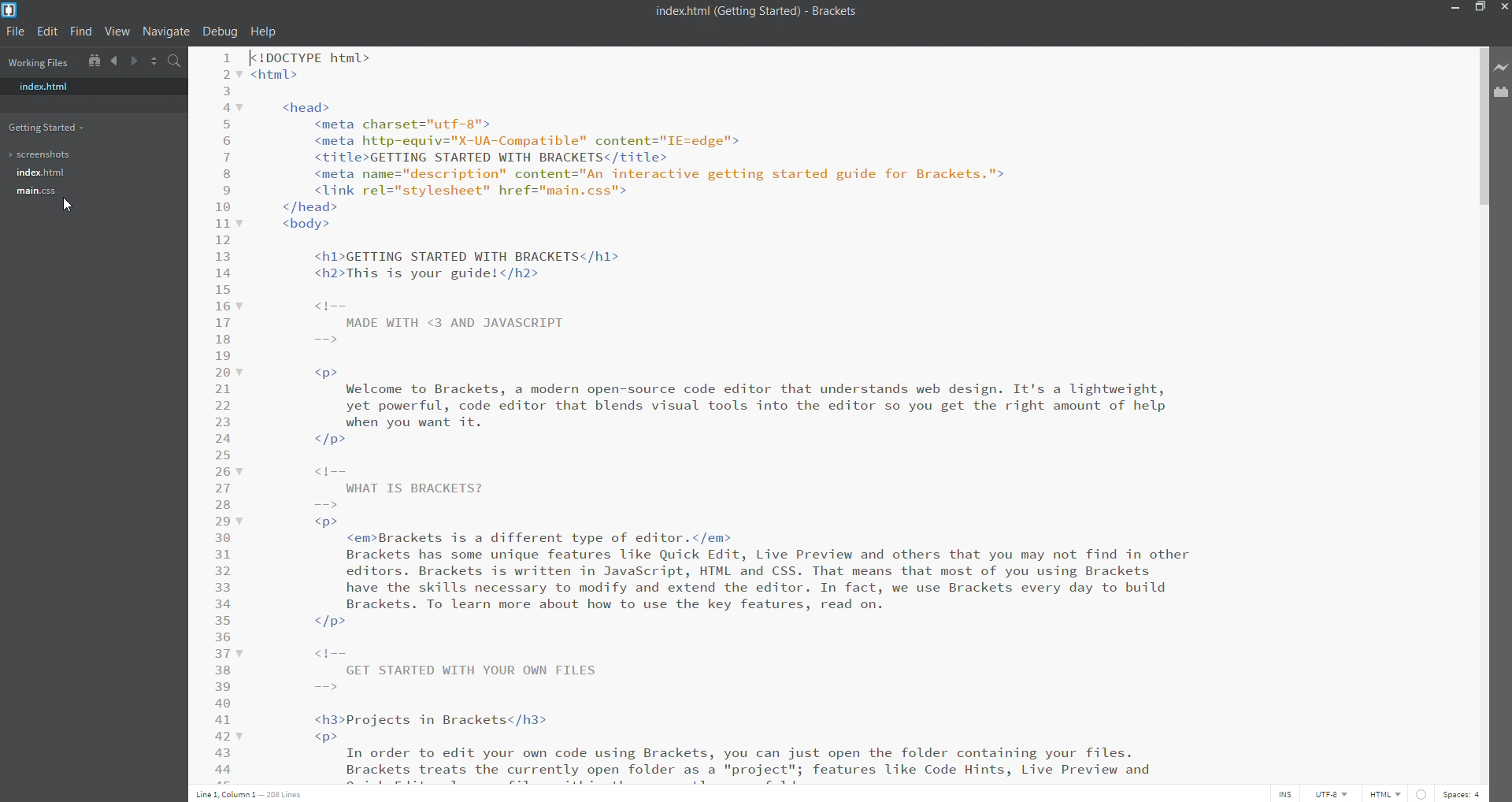 The height and width of the screenshot is (802, 1512). Describe the element at coordinates (67, 204) in the screenshot. I see `cursor` at that location.